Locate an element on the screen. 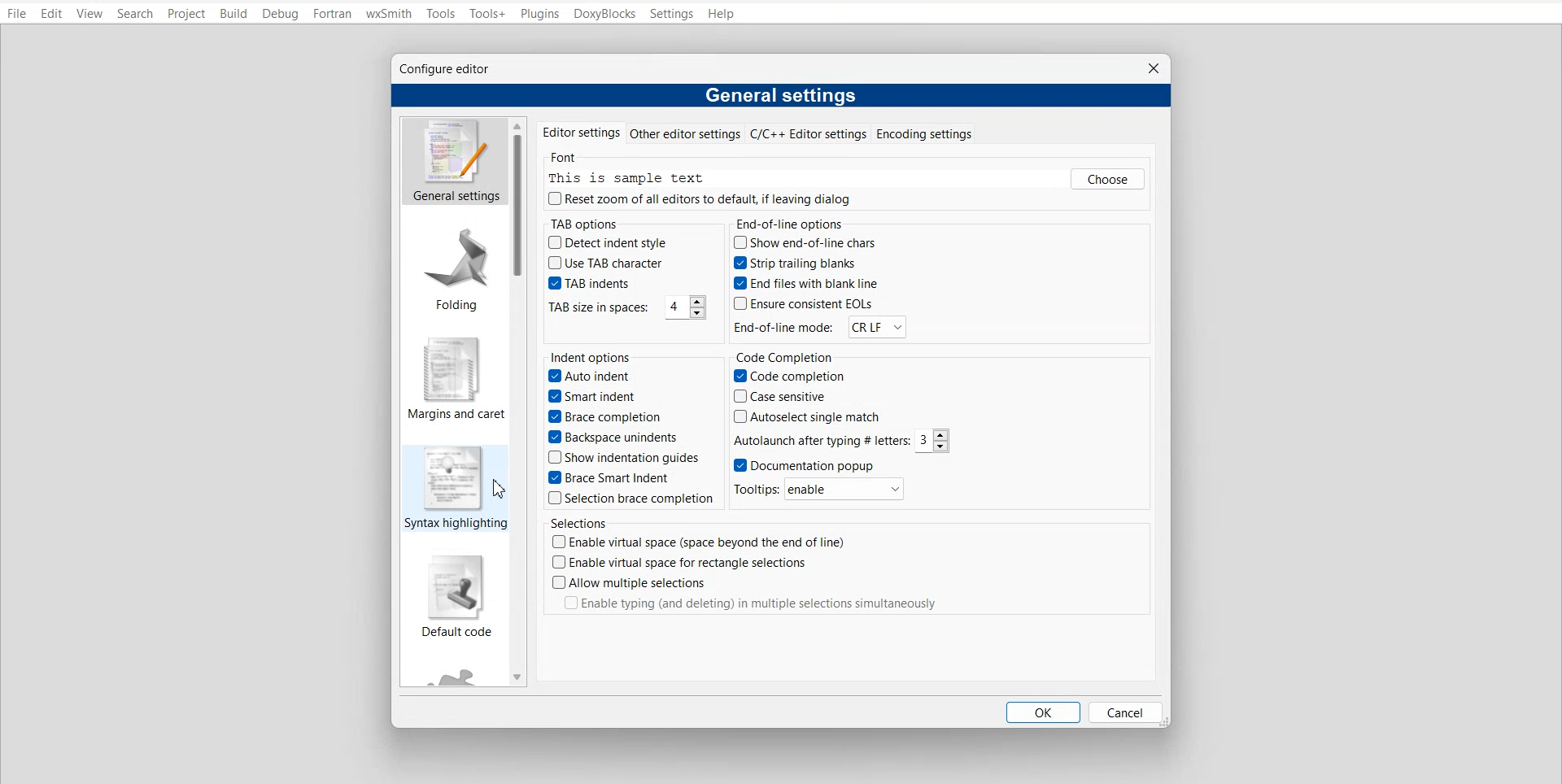  Other editor settings is located at coordinates (685, 133).